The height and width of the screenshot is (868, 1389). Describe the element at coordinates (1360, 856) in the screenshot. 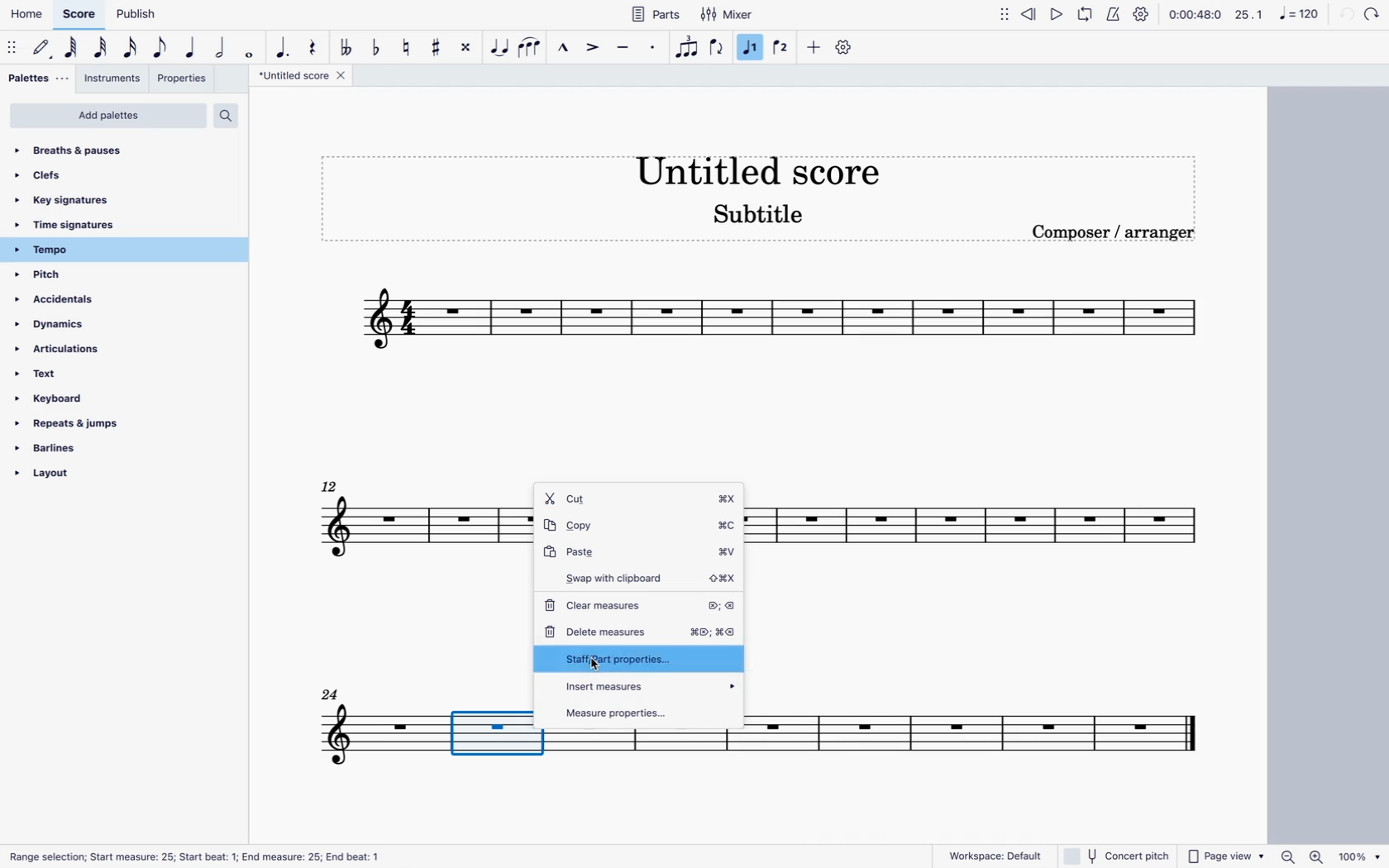

I see `100%` at that location.